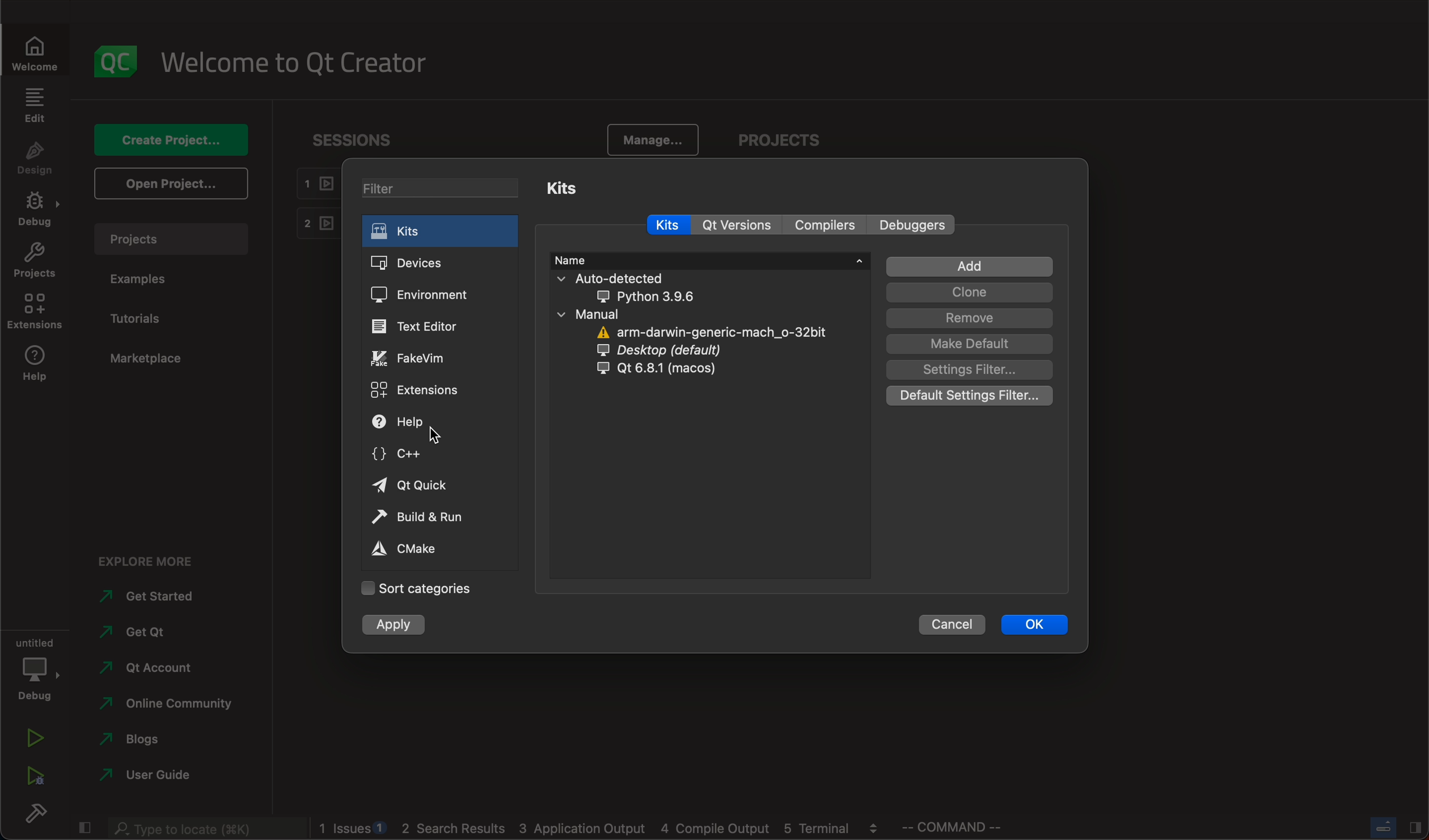  I want to click on close slide bar, so click(88, 826).